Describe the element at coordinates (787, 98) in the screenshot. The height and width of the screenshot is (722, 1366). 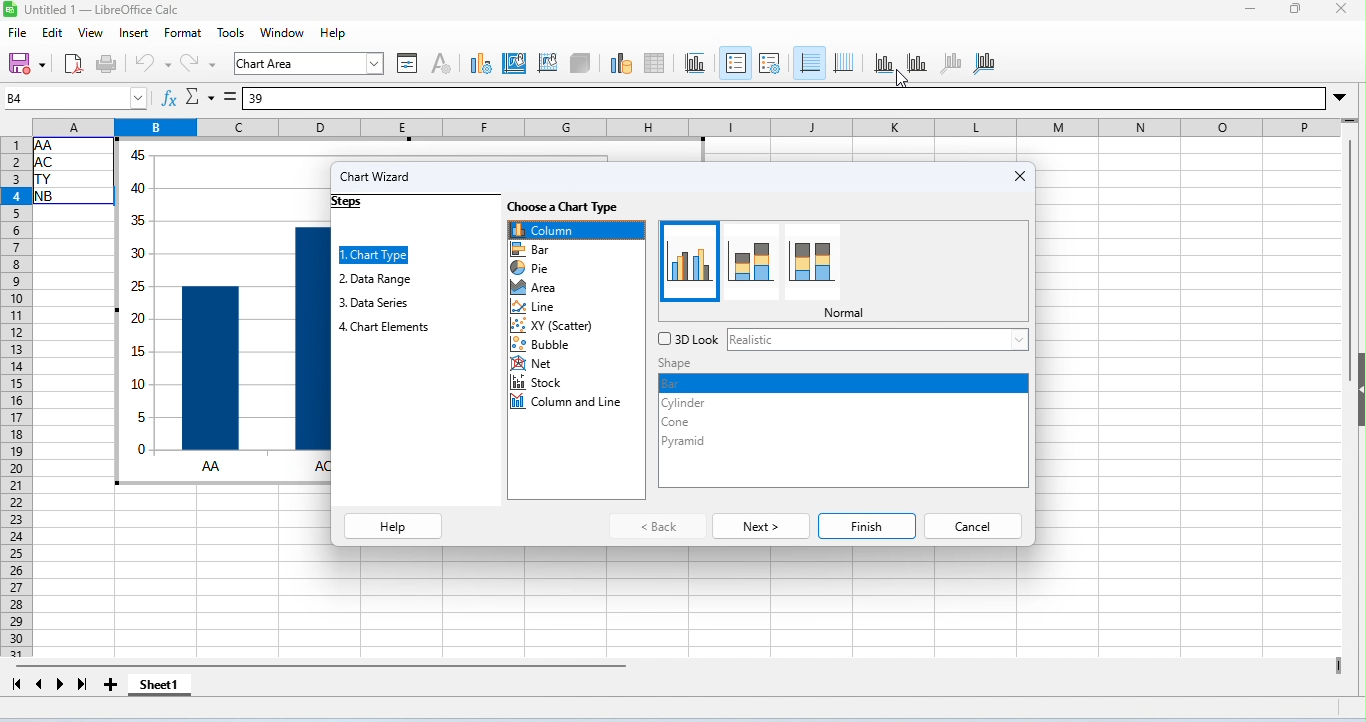
I see `formula bar` at that location.